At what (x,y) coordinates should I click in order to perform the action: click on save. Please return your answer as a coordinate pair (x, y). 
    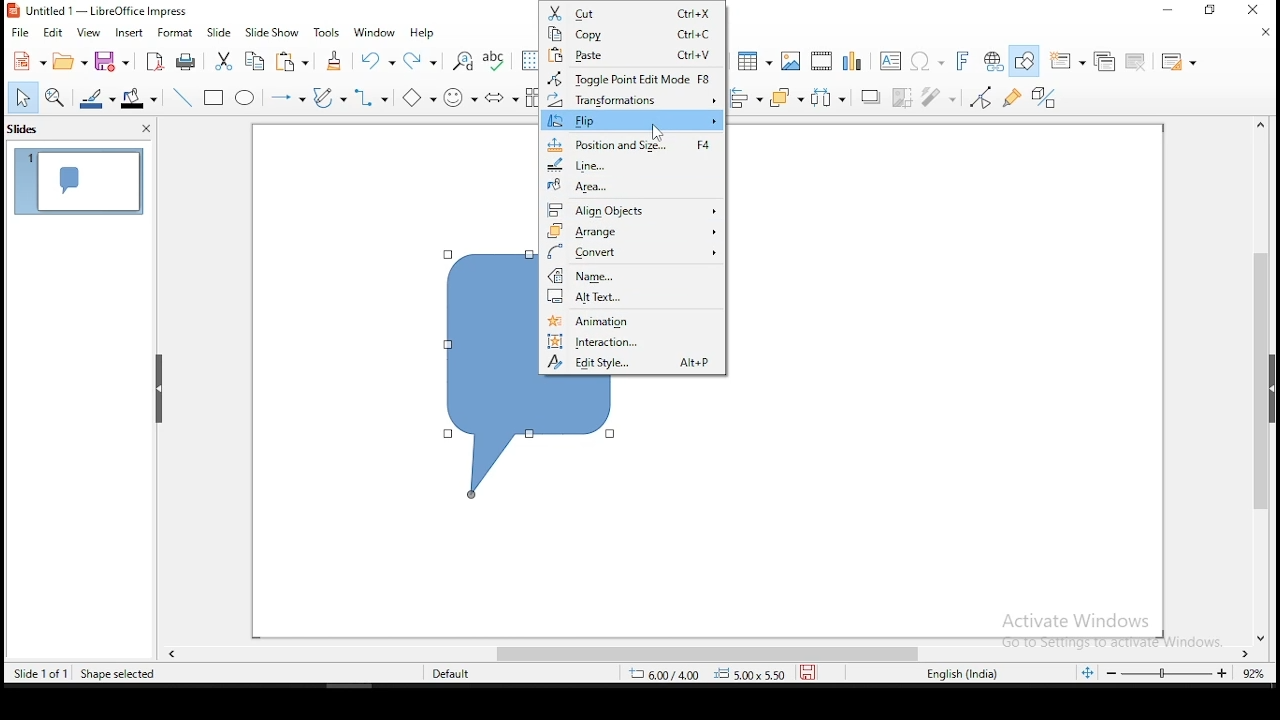
    Looking at the image, I should click on (112, 61).